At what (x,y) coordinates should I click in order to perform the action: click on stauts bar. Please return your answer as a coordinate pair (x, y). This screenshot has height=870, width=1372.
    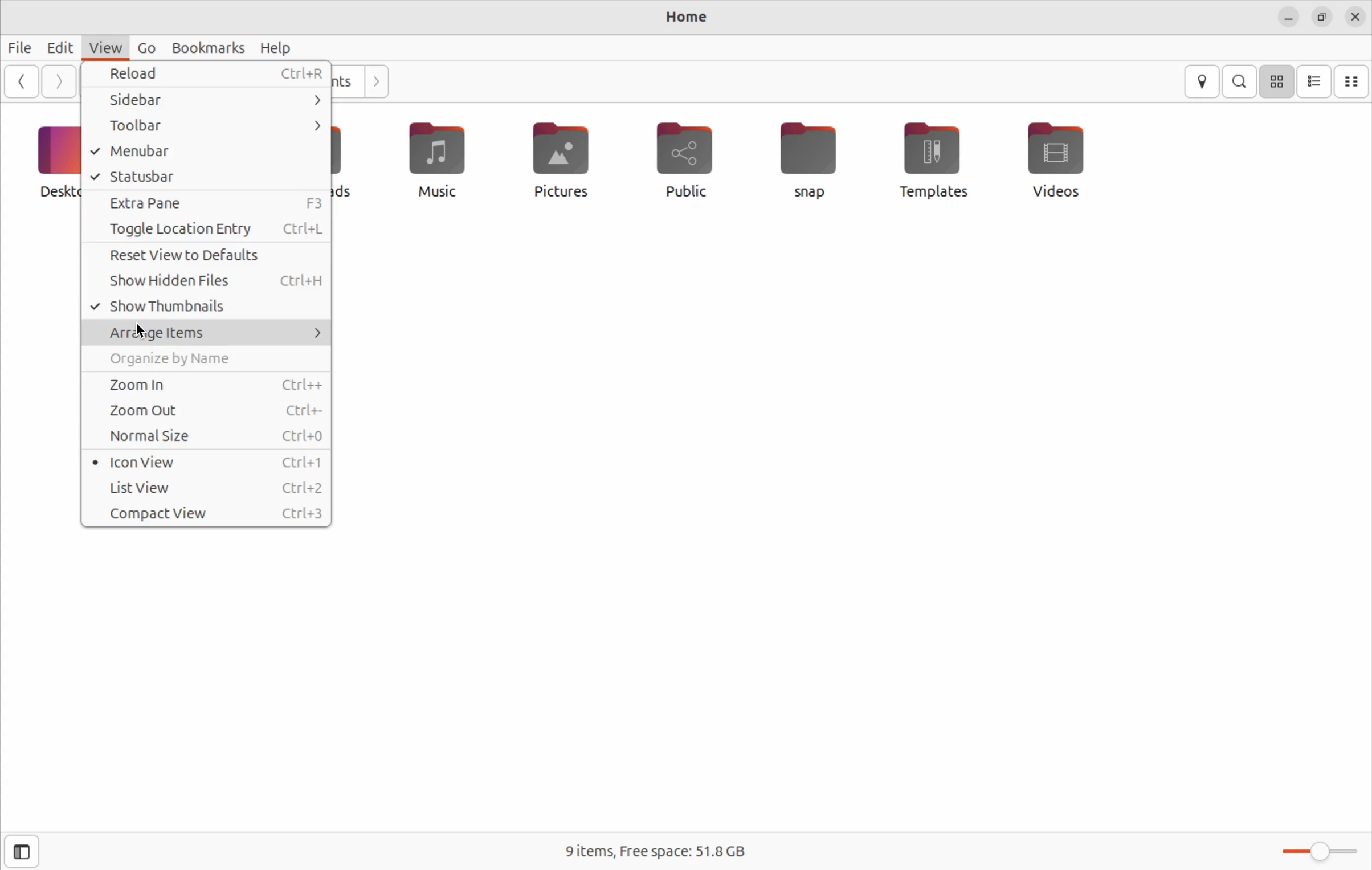
    Looking at the image, I should click on (205, 178).